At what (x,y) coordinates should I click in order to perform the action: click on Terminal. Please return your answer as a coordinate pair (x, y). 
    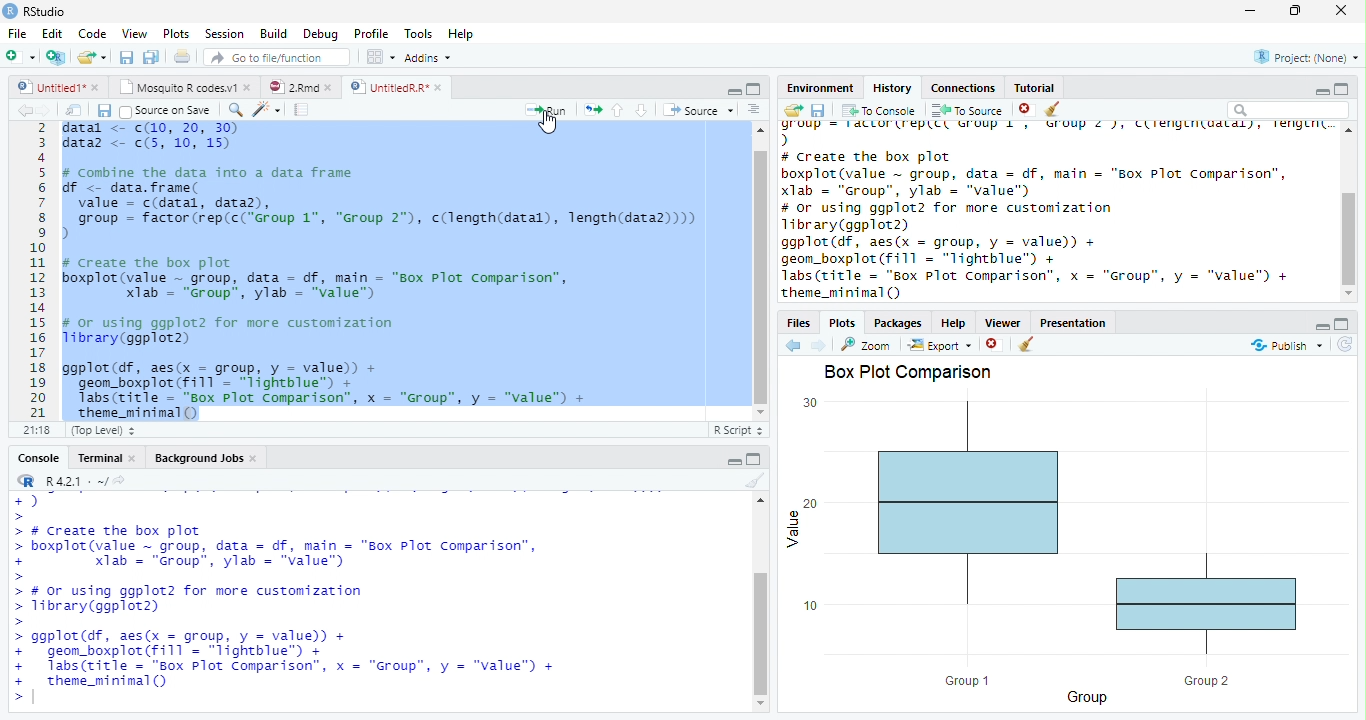
    Looking at the image, I should click on (95, 458).